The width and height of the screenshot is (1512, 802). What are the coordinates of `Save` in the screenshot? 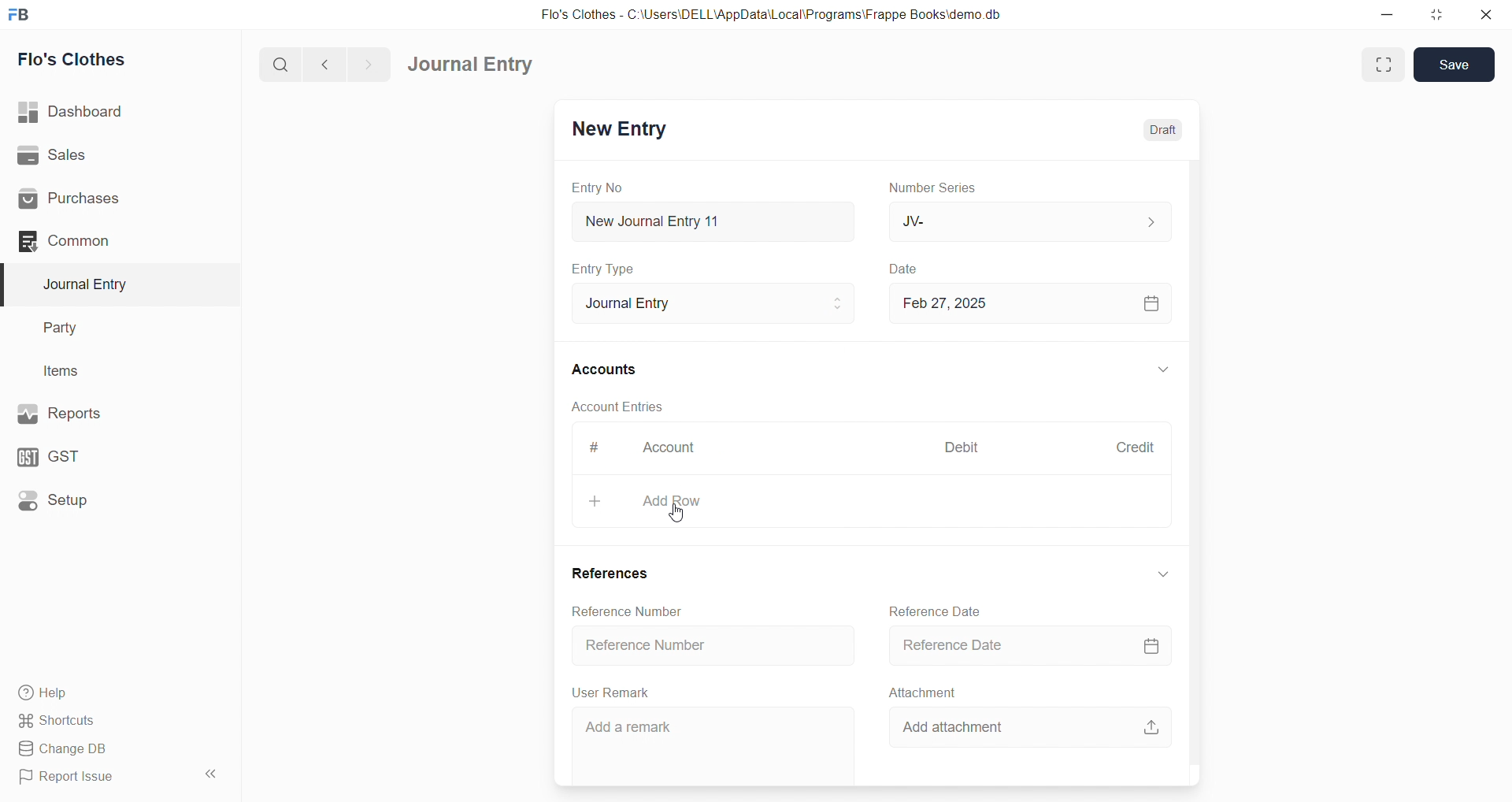 It's located at (1455, 65).